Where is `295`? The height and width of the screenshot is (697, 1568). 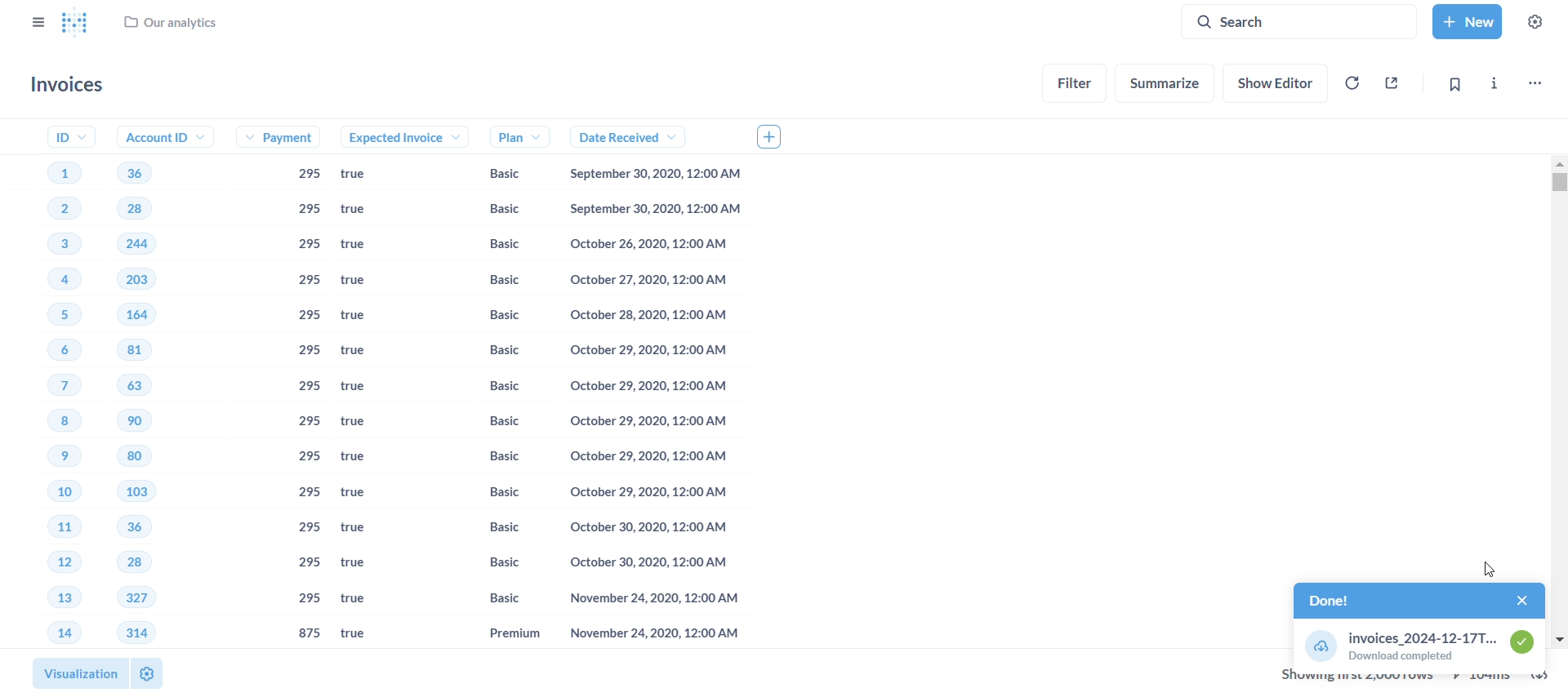
295 is located at coordinates (307, 317).